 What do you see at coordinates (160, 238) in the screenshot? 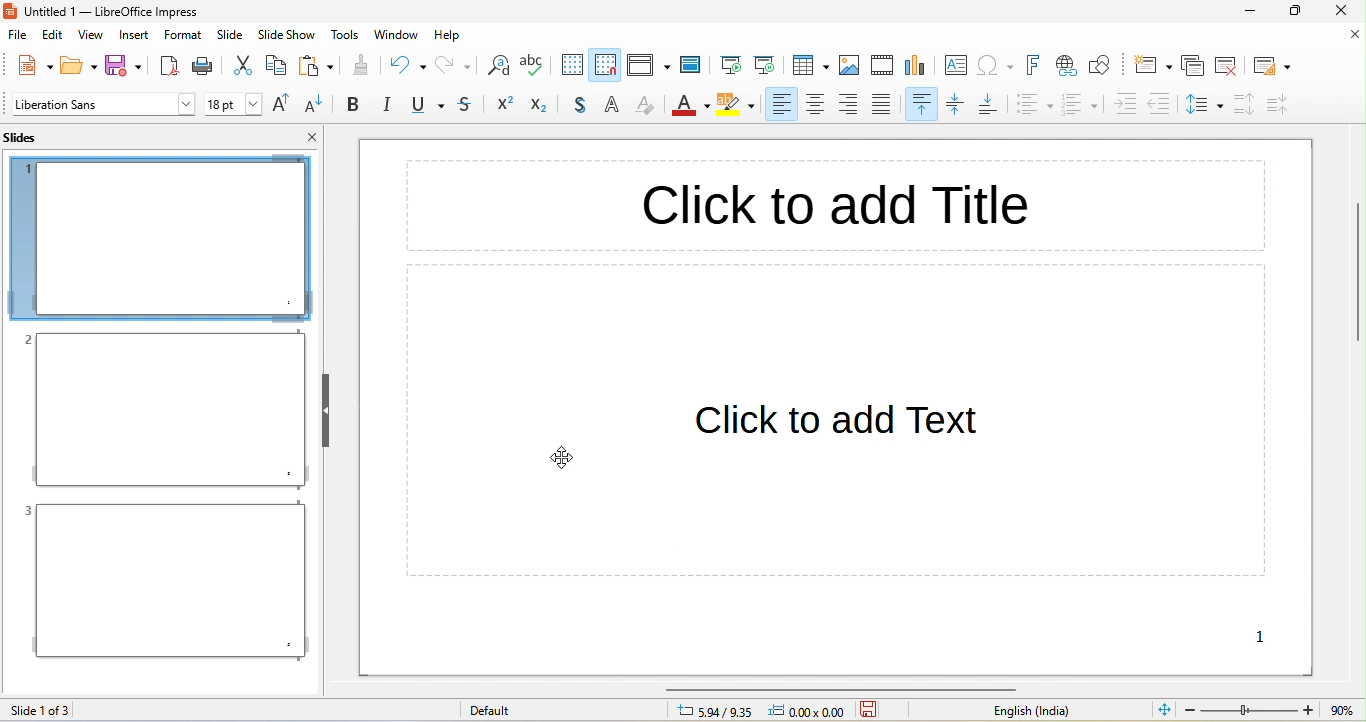
I see `slide 1` at bounding box center [160, 238].